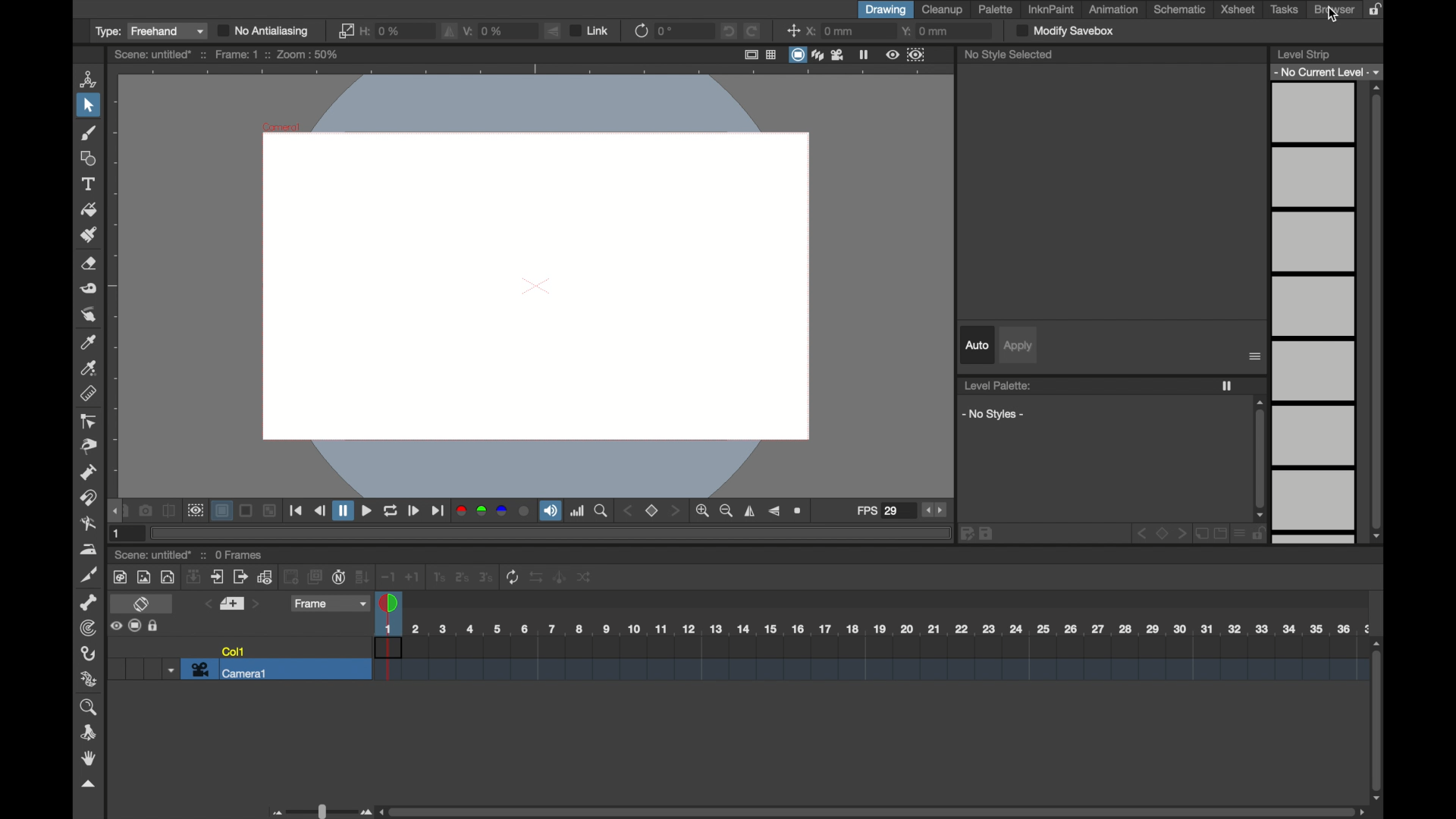 The height and width of the screenshot is (819, 1456). Describe the element at coordinates (437, 511) in the screenshot. I see `last frame` at that location.